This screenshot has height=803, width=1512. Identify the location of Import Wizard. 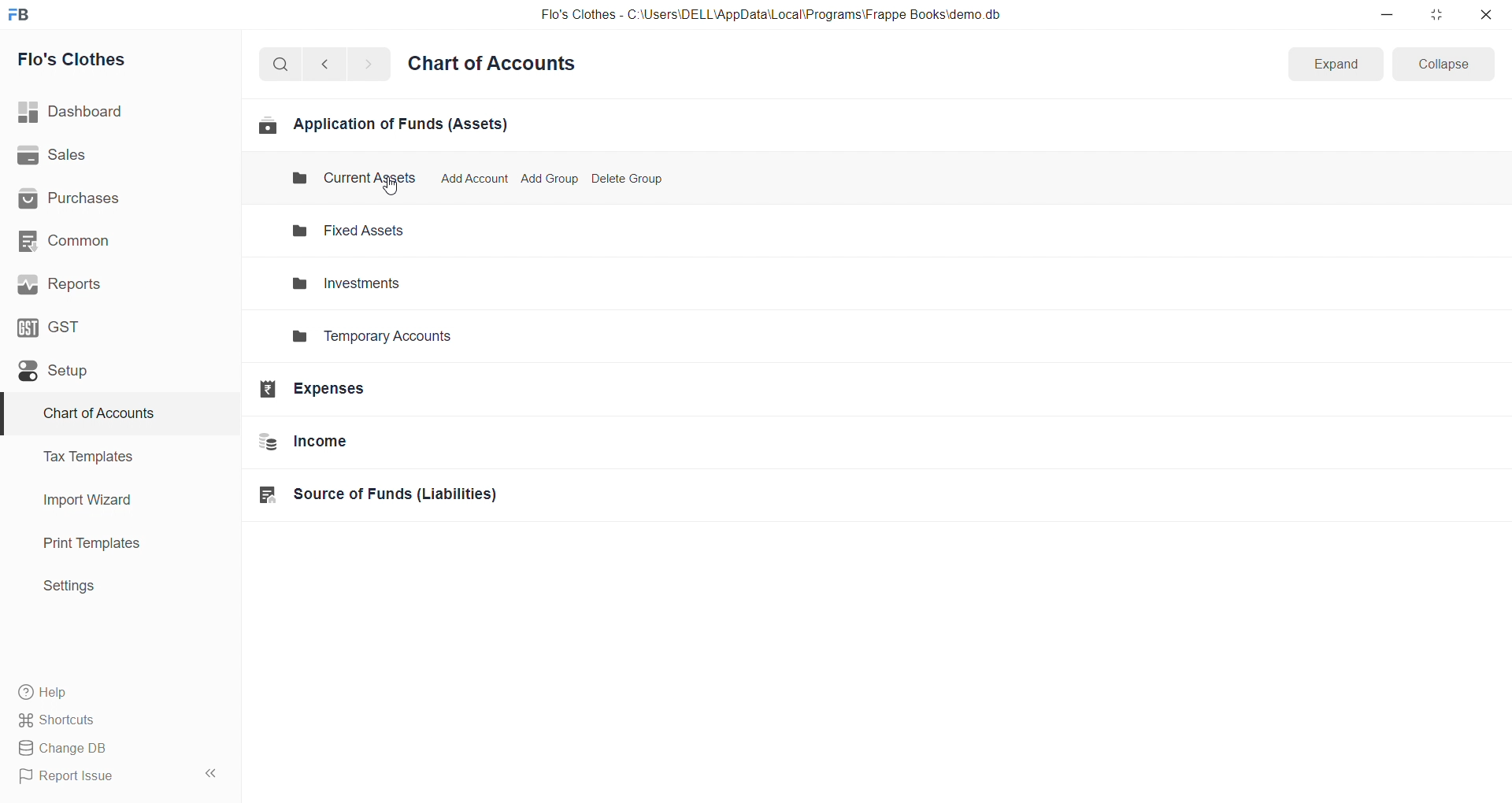
(112, 500).